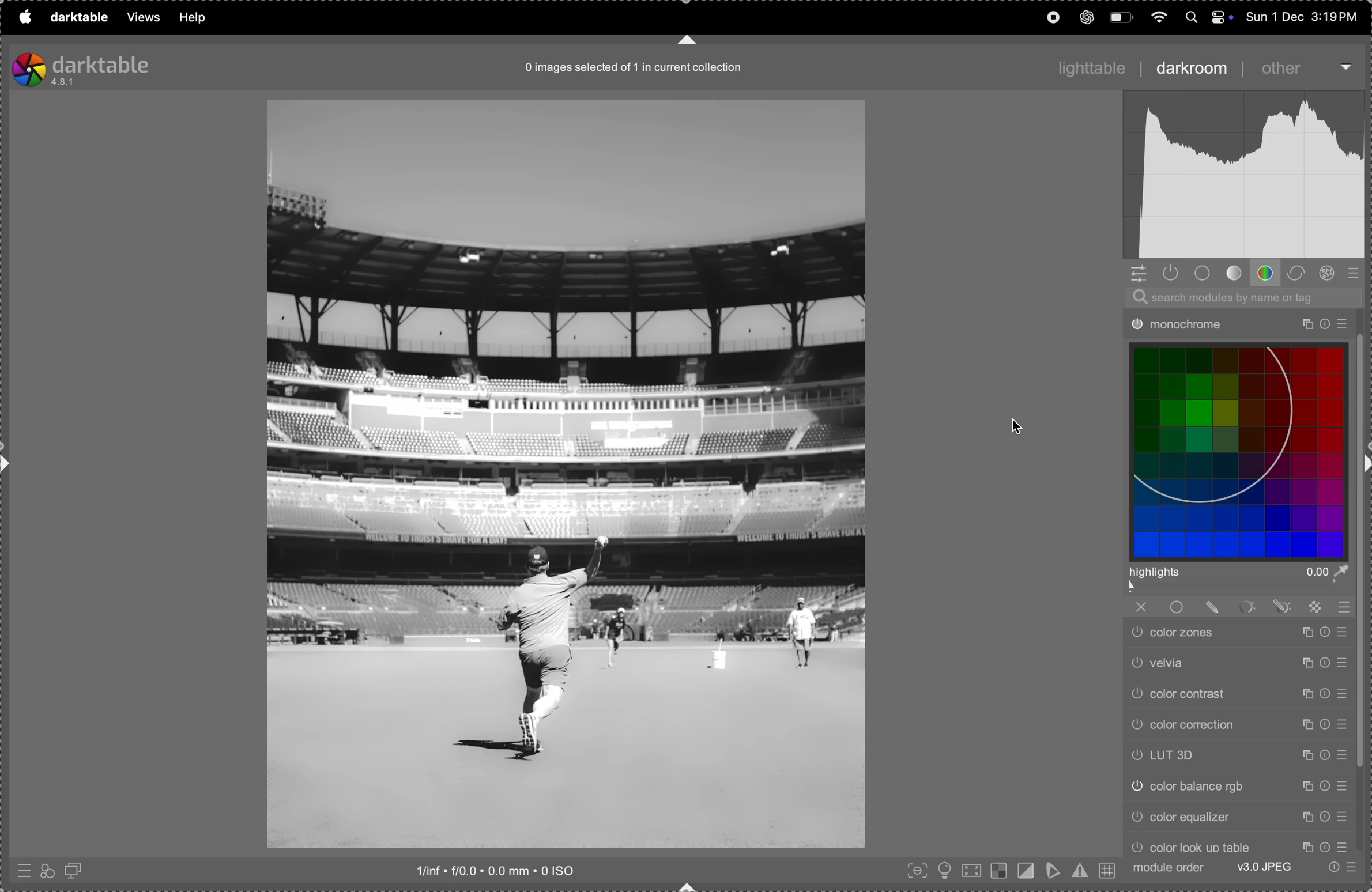 The height and width of the screenshot is (892, 1372). What do you see at coordinates (1305, 17) in the screenshot?
I see `date and time` at bounding box center [1305, 17].